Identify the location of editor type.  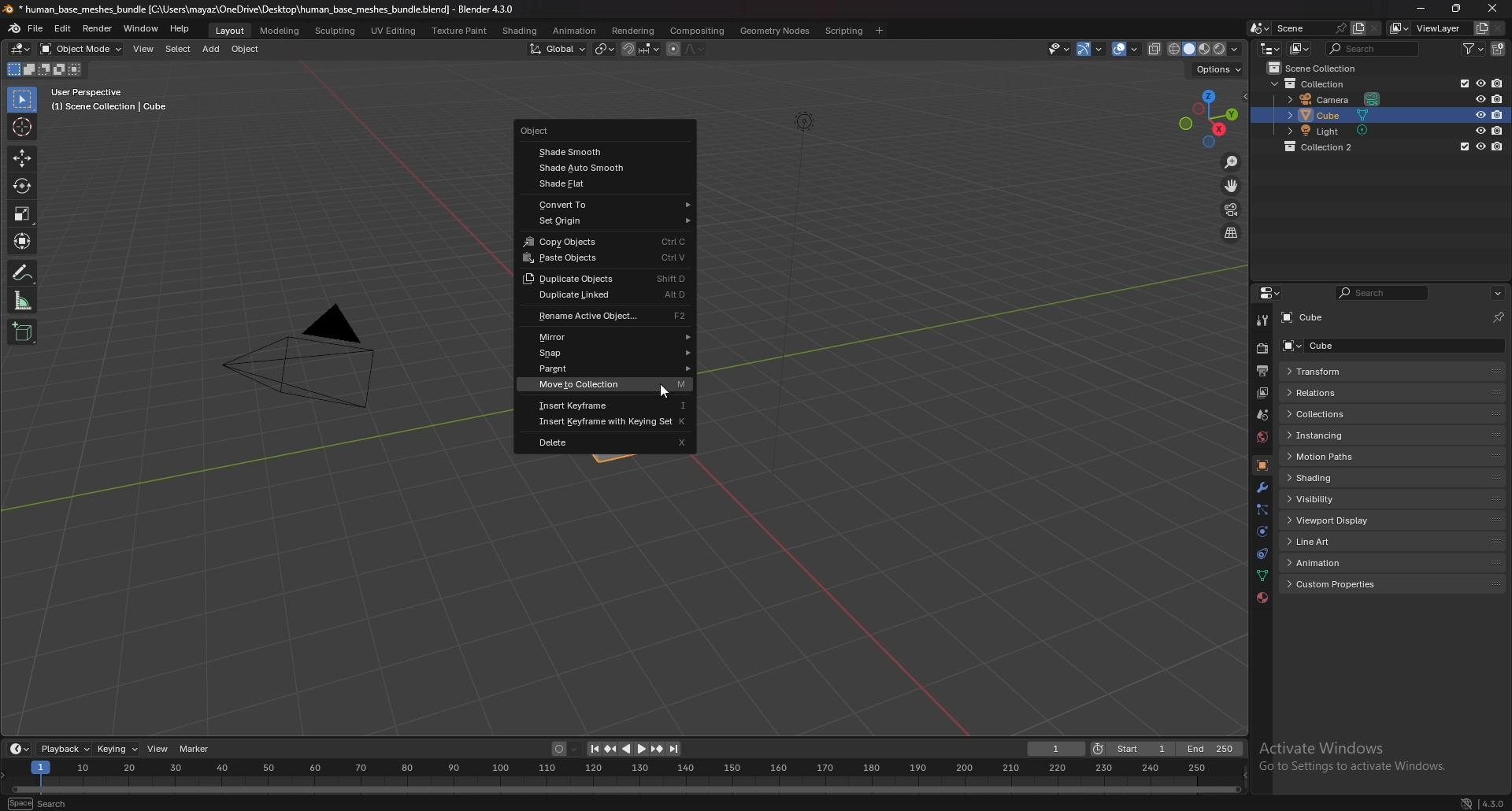
(22, 48).